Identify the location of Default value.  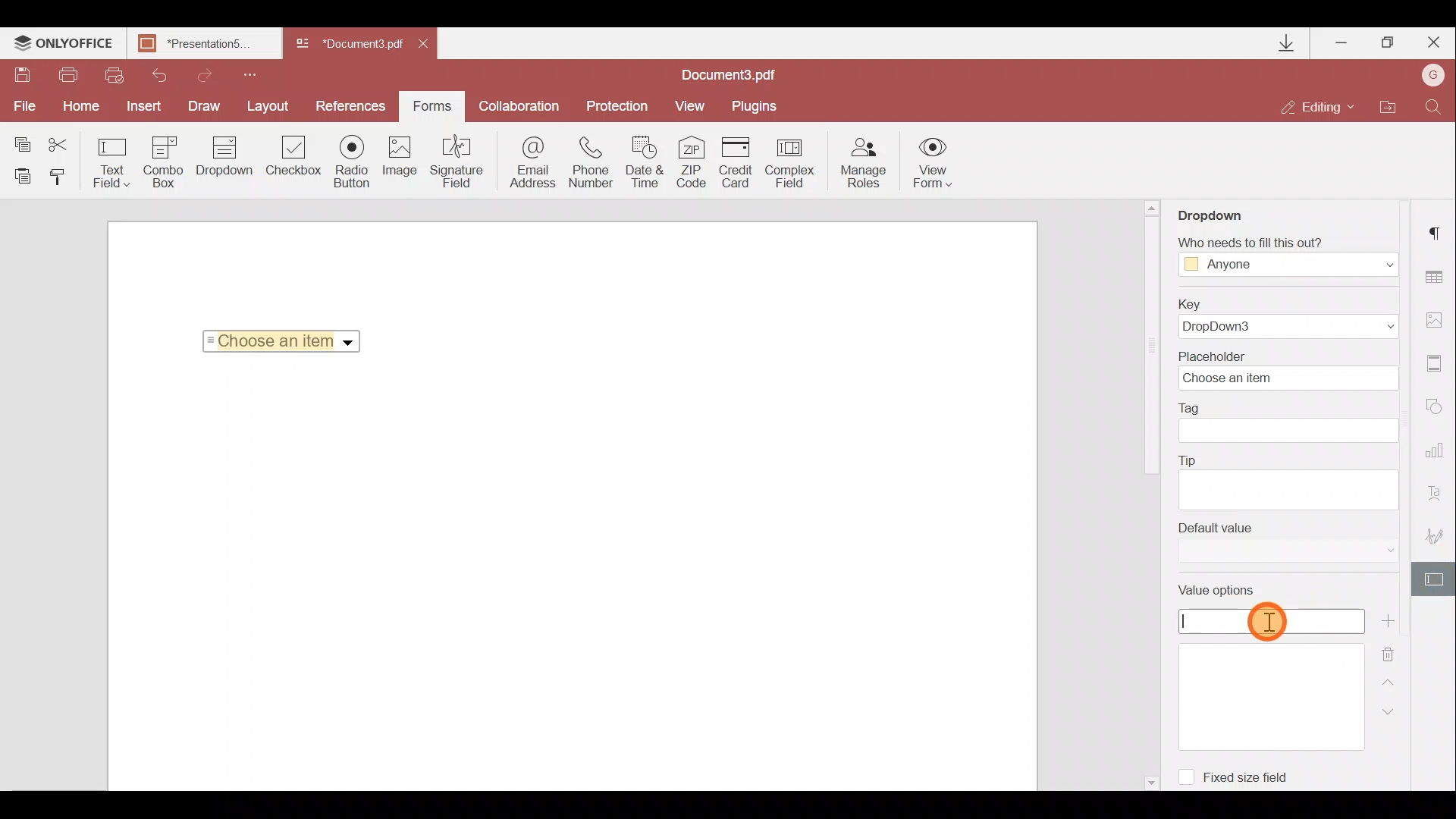
(1282, 547).